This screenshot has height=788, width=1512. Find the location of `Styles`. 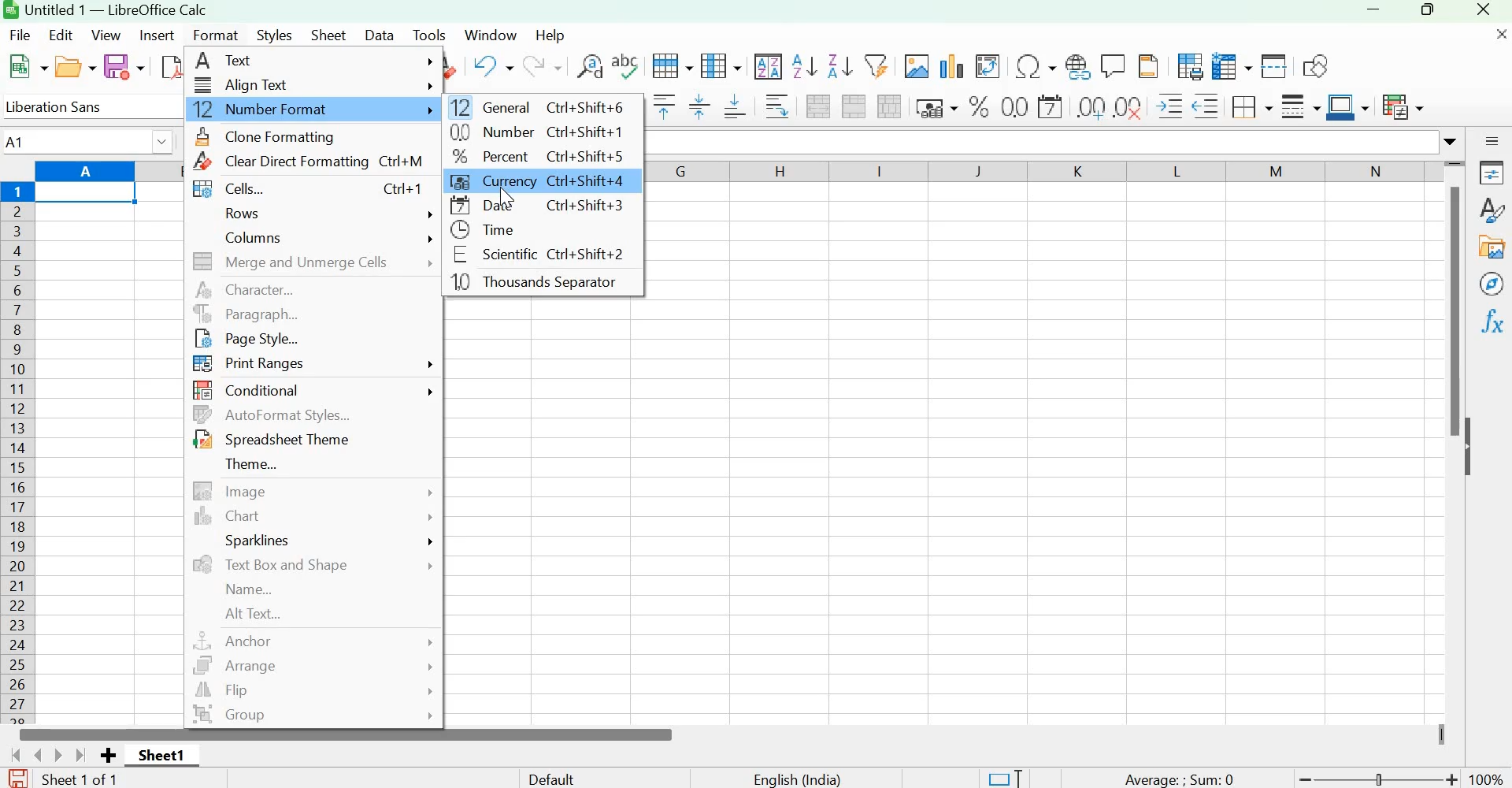

Styles is located at coordinates (1492, 210).